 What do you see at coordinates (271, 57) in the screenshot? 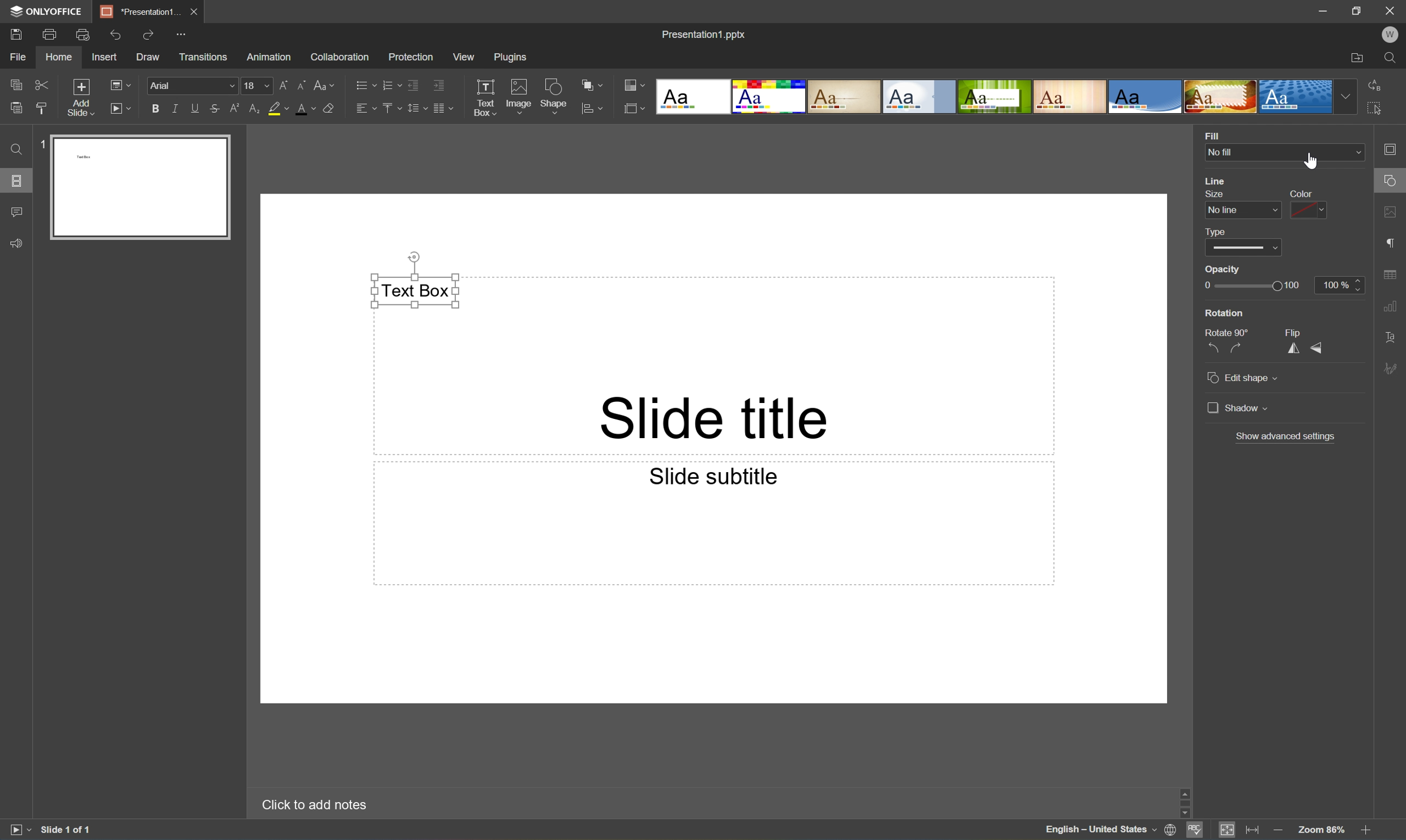
I see `Animation` at bounding box center [271, 57].